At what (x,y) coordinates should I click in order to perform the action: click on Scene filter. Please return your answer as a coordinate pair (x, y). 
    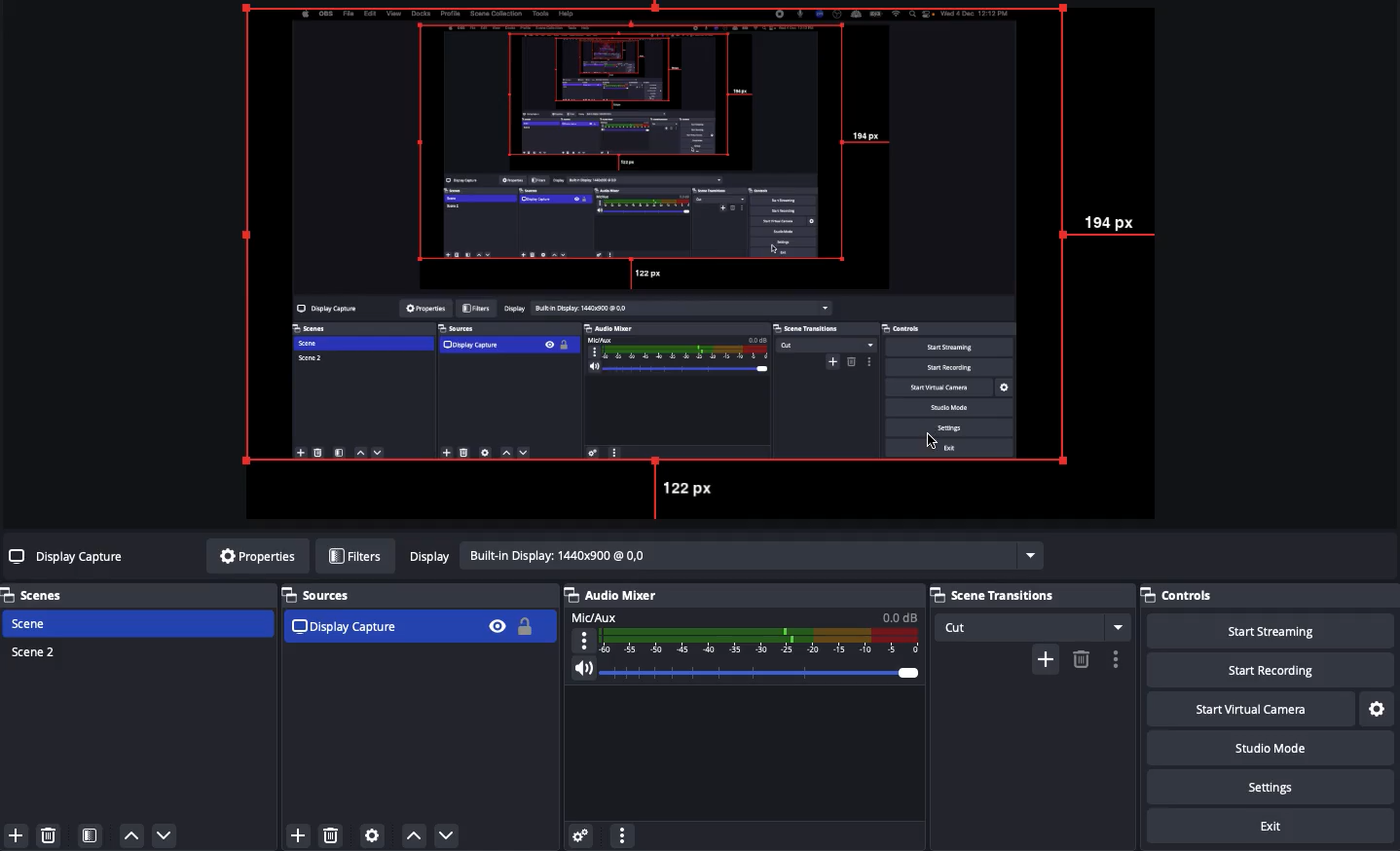
    Looking at the image, I should click on (91, 836).